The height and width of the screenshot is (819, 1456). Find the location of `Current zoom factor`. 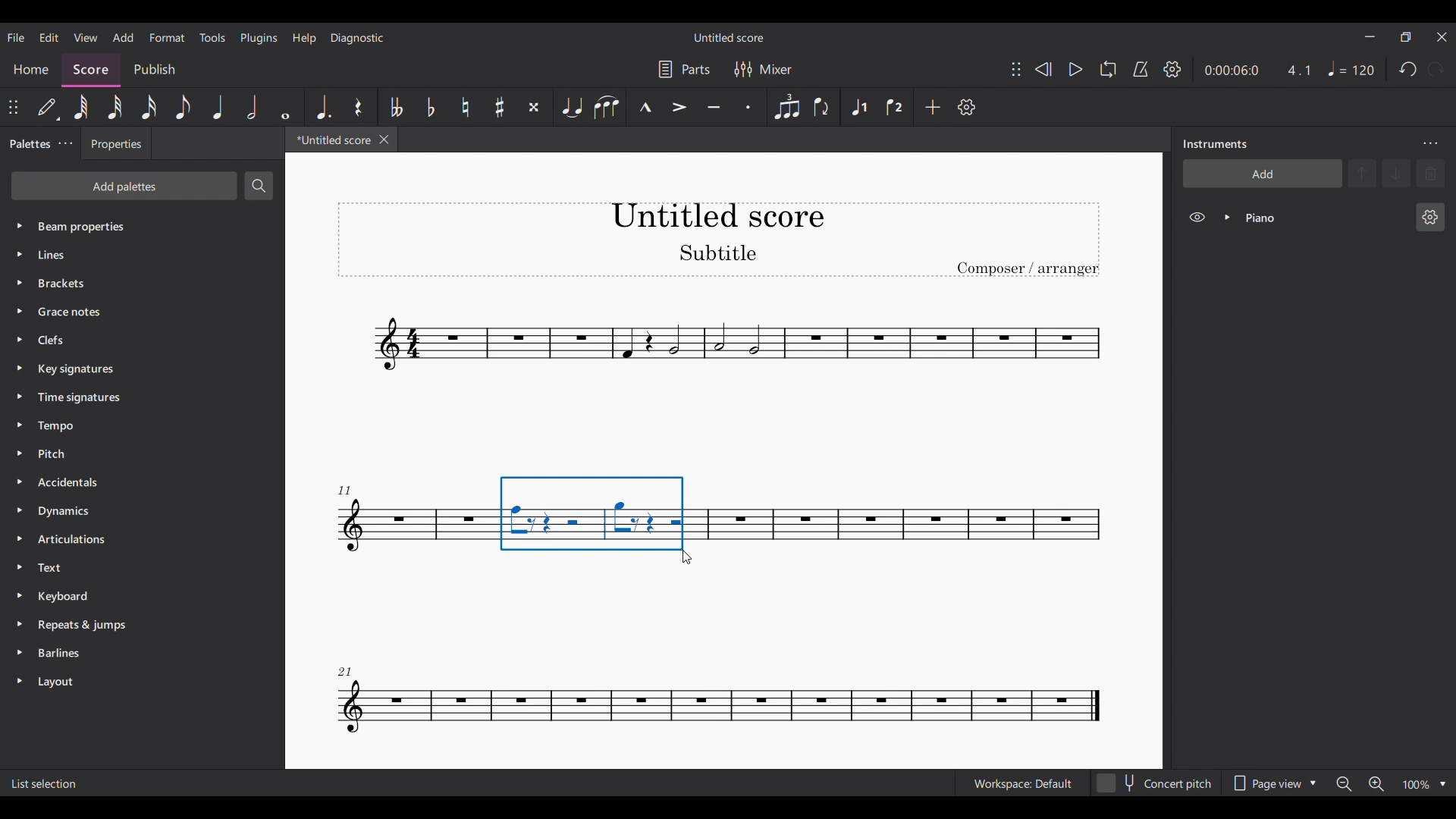

Current zoom factor is located at coordinates (1417, 784).